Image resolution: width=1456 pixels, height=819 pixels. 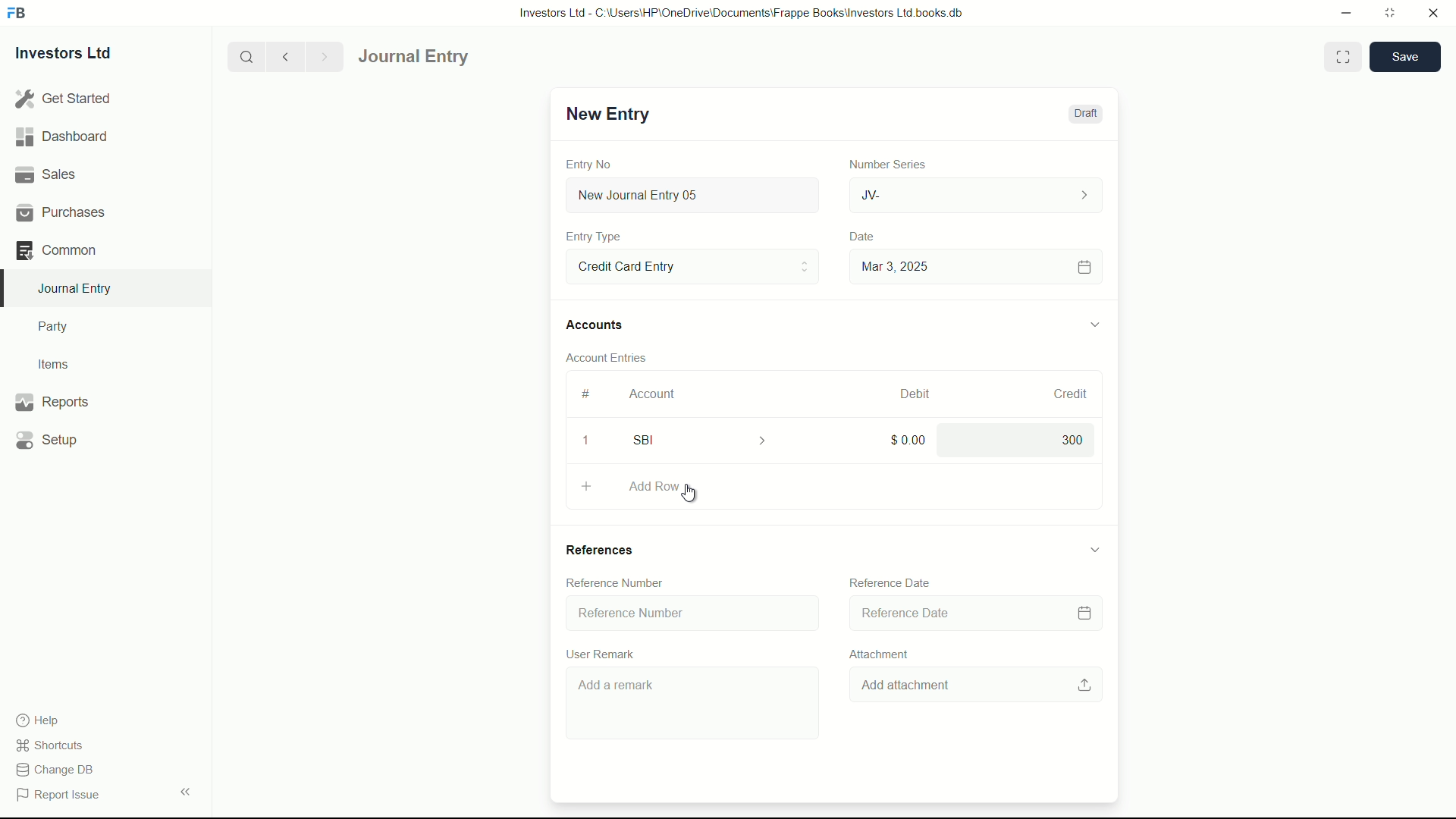 I want to click on search, so click(x=245, y=55).